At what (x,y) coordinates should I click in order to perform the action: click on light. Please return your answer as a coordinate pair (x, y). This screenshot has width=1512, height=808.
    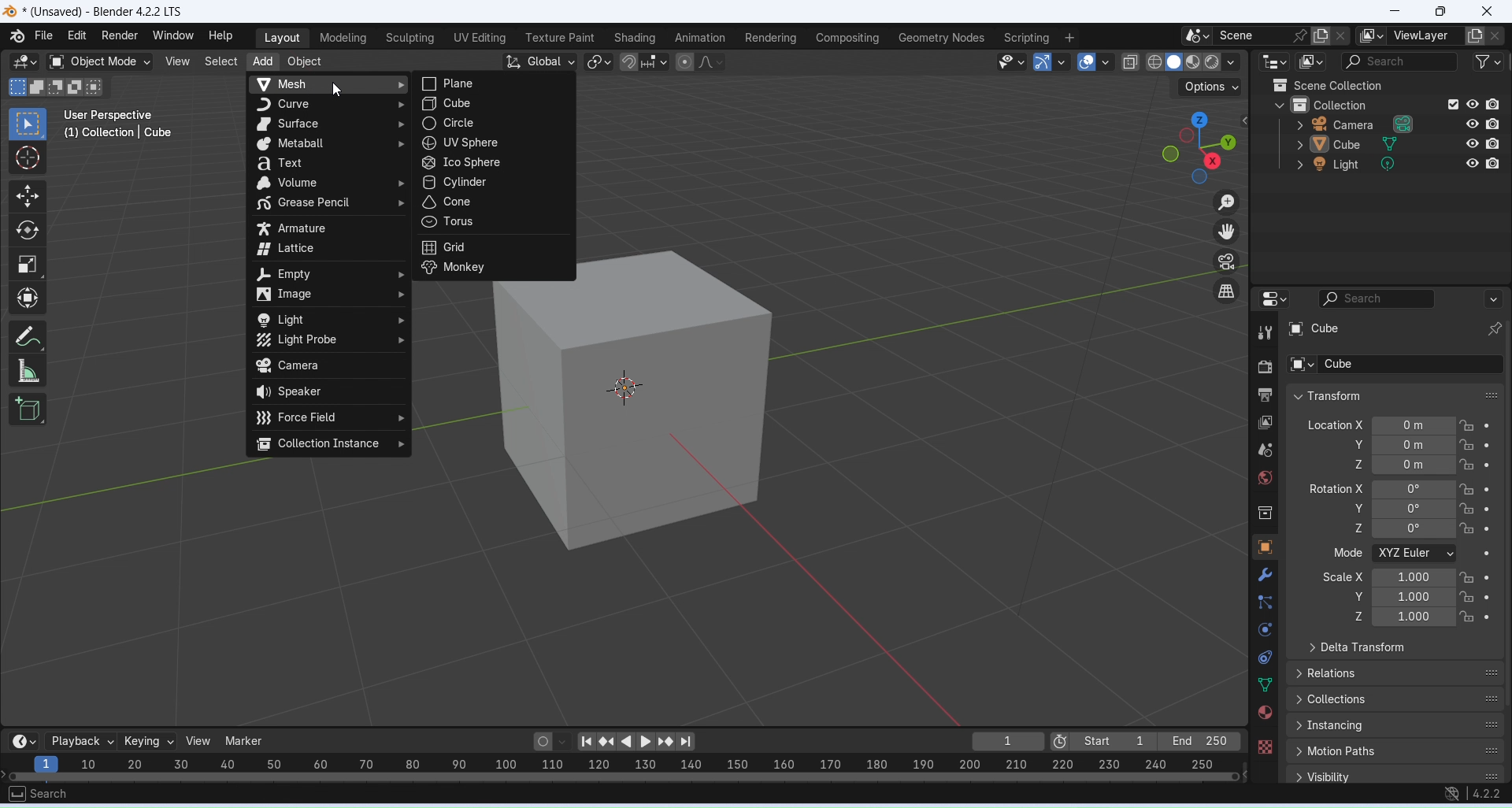
    Looking at the image, I should click on (329, 320).